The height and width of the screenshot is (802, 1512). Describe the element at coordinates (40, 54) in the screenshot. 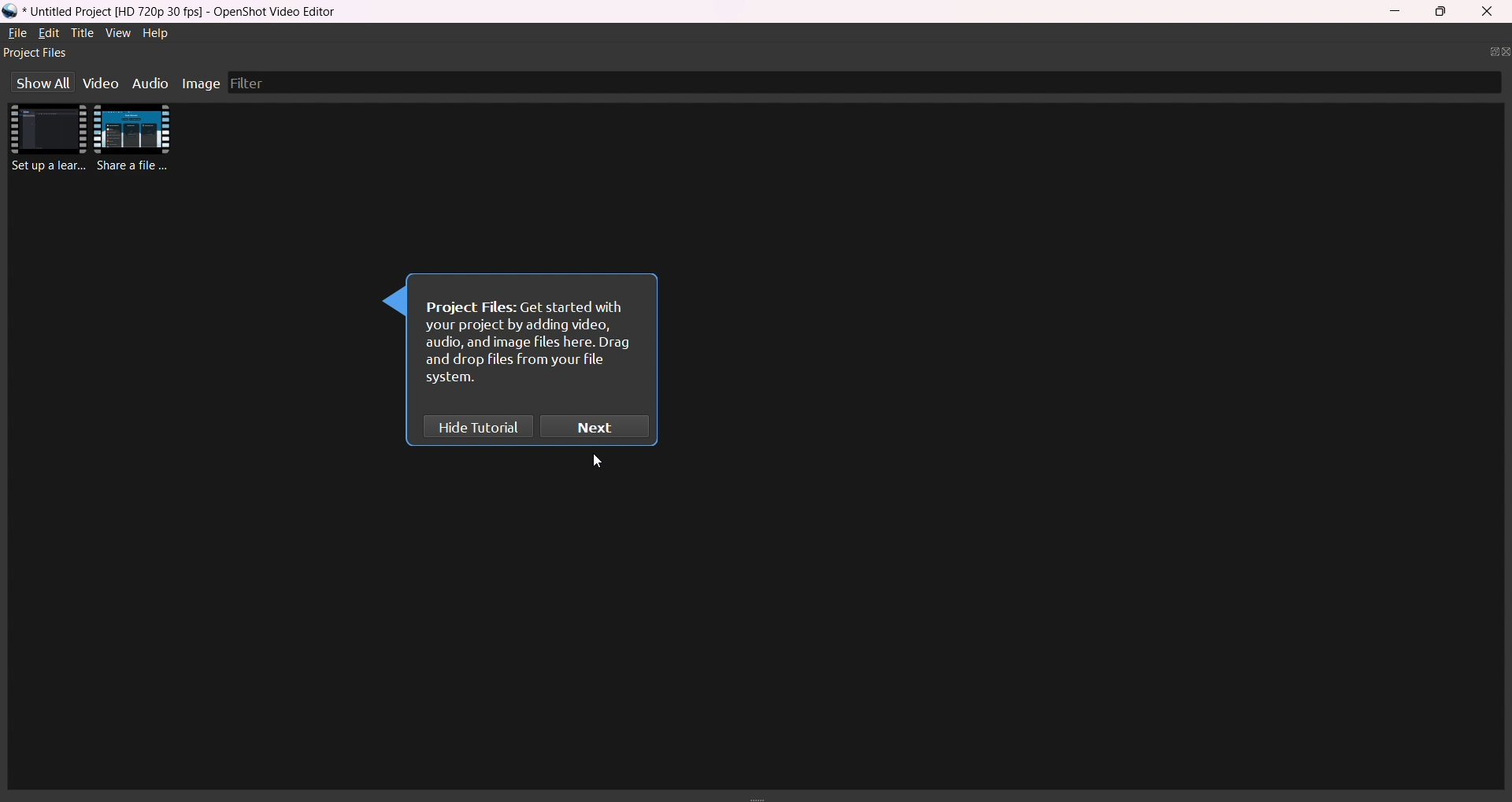

I see `project files` at that location.